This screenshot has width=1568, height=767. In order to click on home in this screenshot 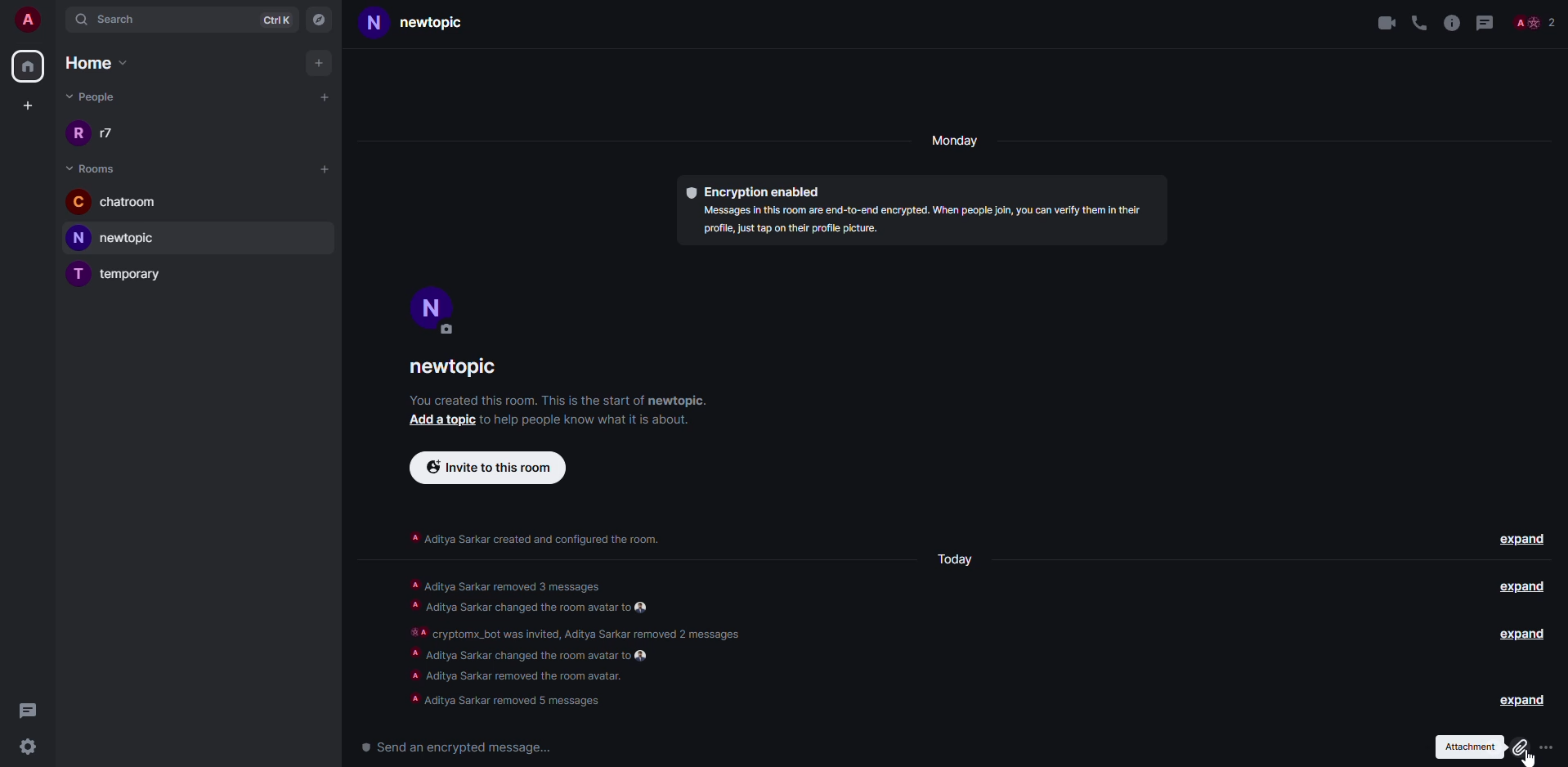, I will do `click(29, 66)`.